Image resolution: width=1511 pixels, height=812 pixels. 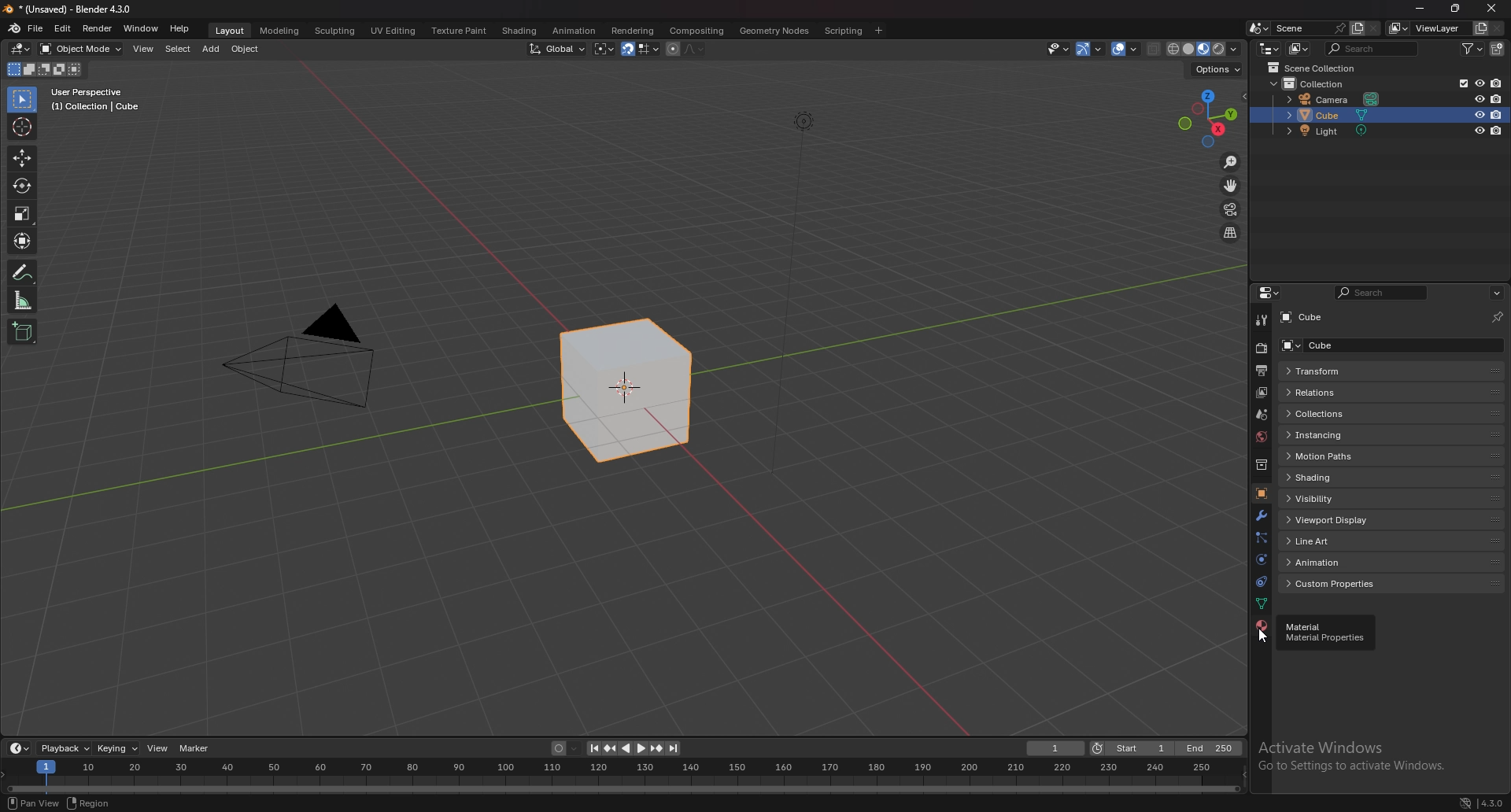 I want to click on browse scene, so click(x=1259, y=28).